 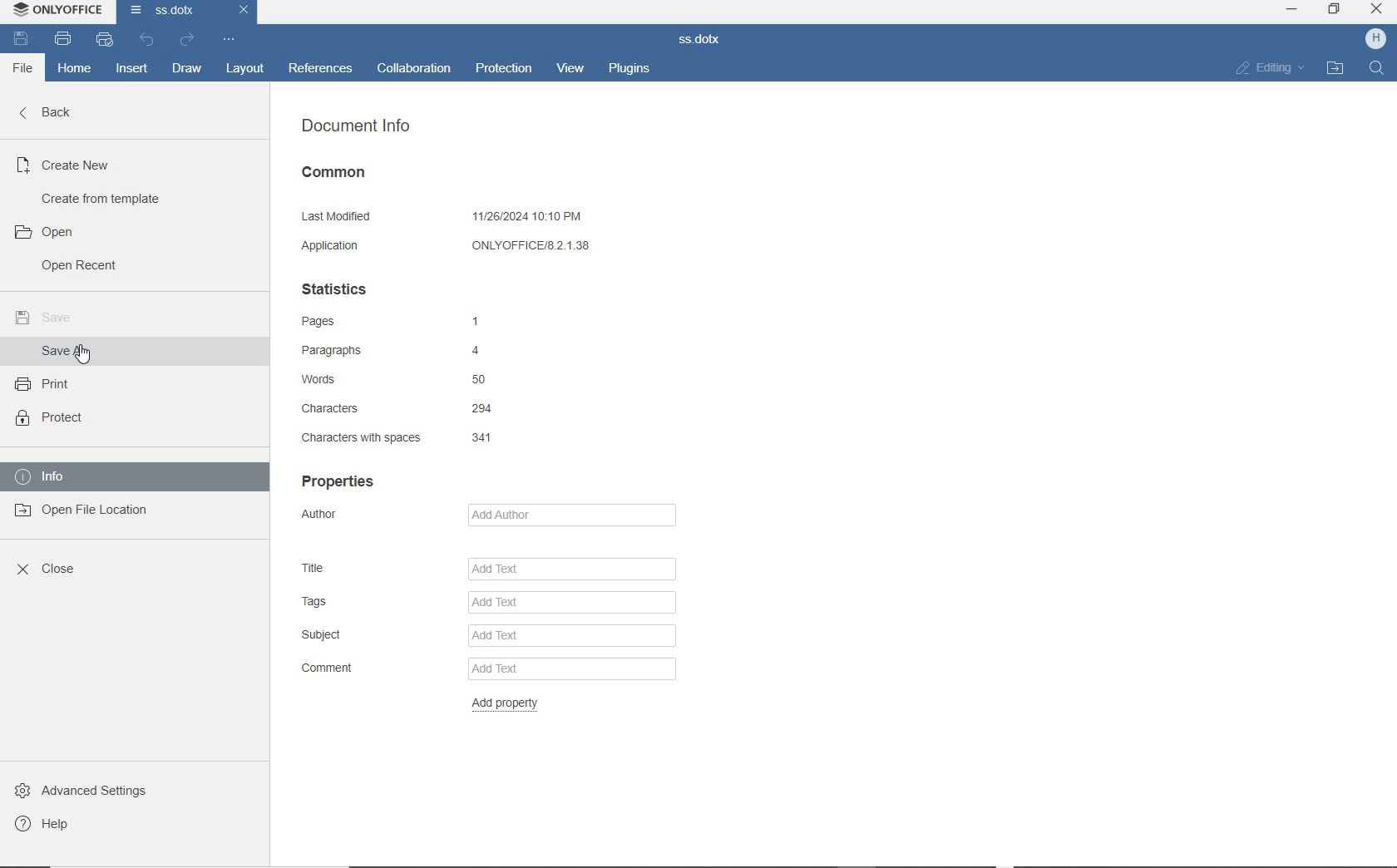 What do you see at coordinates (59, 13) in the screenshot?
I see `SYSTEM NAME` at bounding box center [59, 13].